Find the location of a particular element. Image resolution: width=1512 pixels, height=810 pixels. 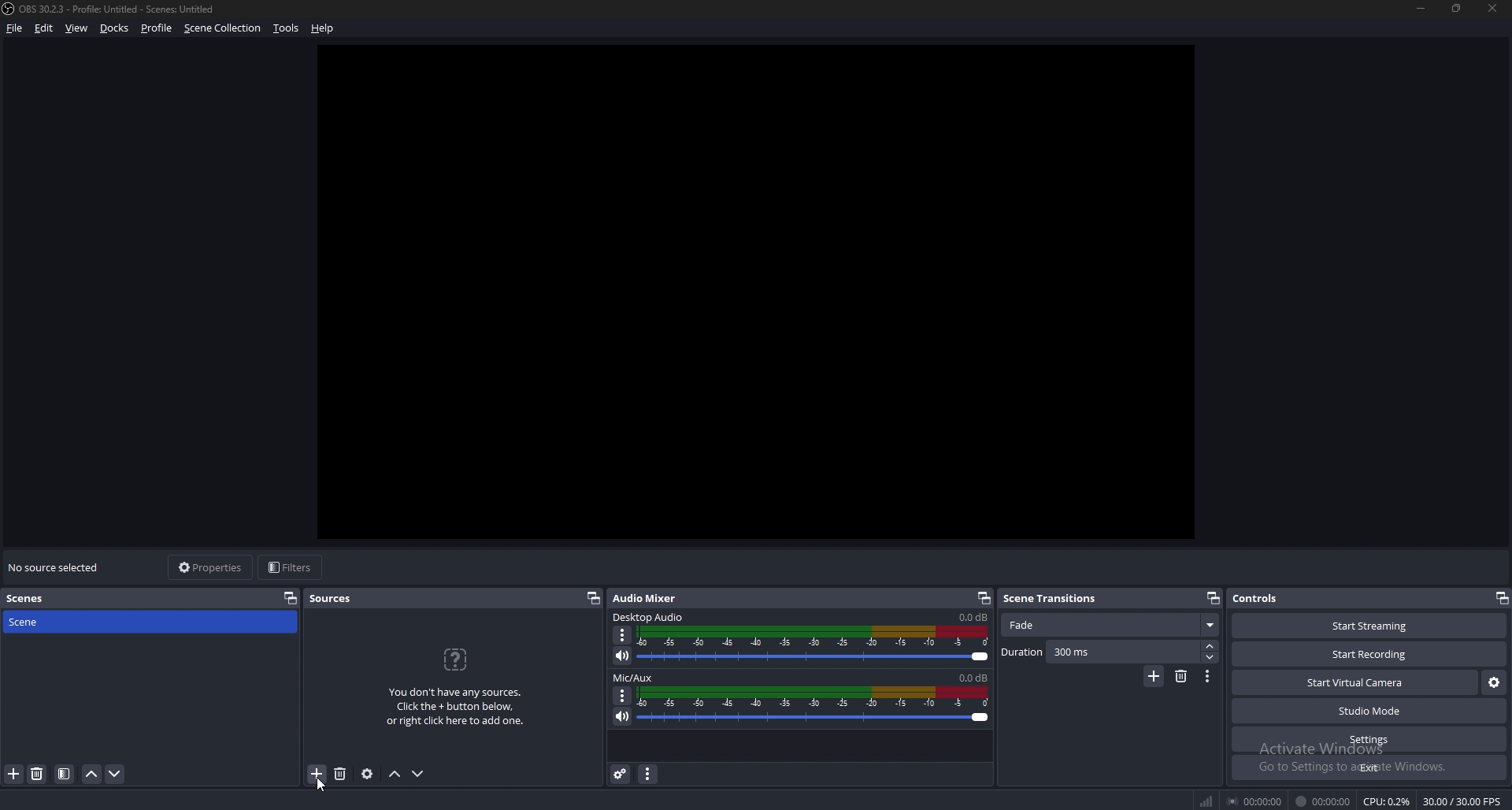

Scene collection is located at coordinates (223, 28).